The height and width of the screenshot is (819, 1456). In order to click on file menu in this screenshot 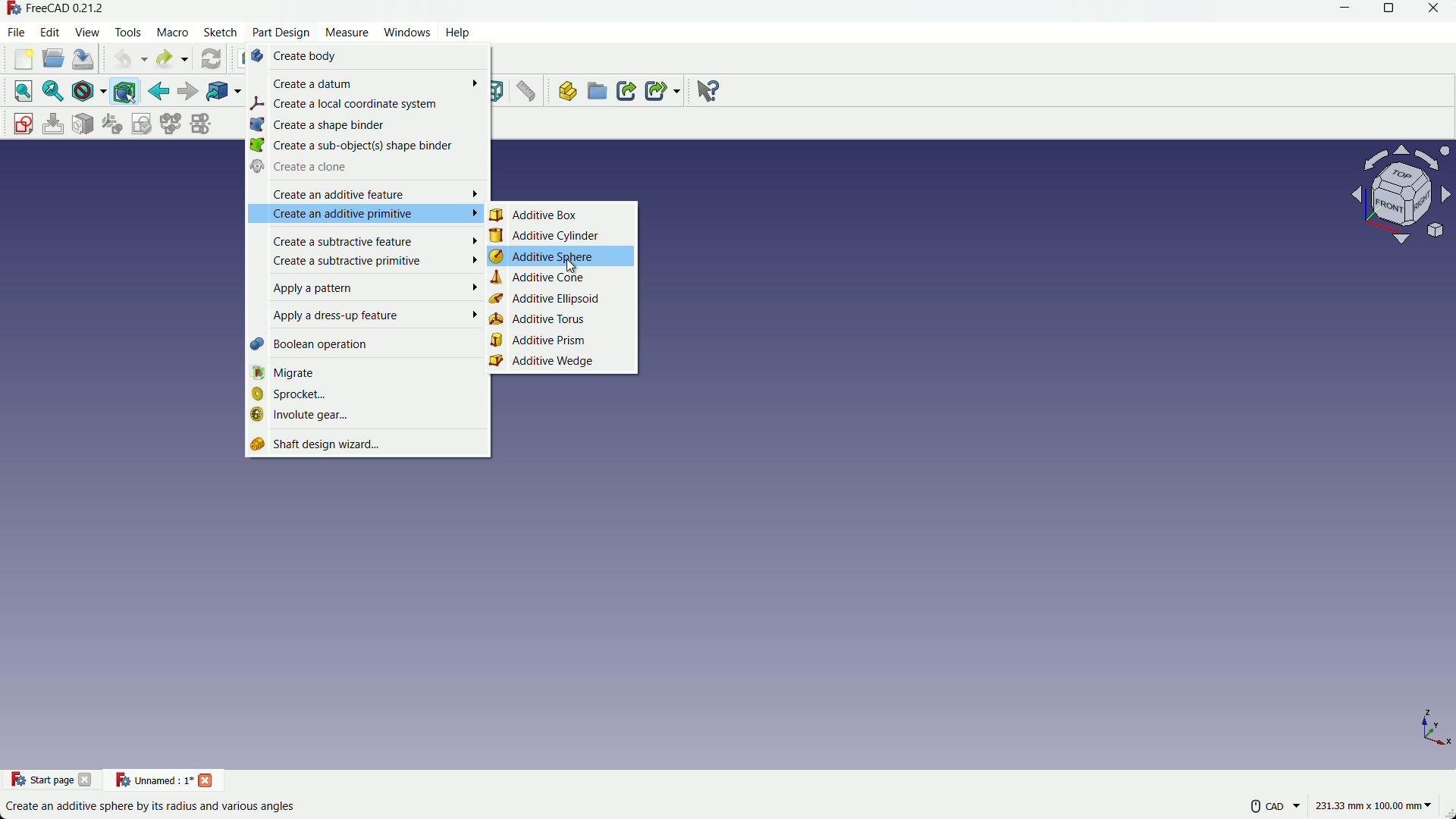, I will do `click(17, 33)`.